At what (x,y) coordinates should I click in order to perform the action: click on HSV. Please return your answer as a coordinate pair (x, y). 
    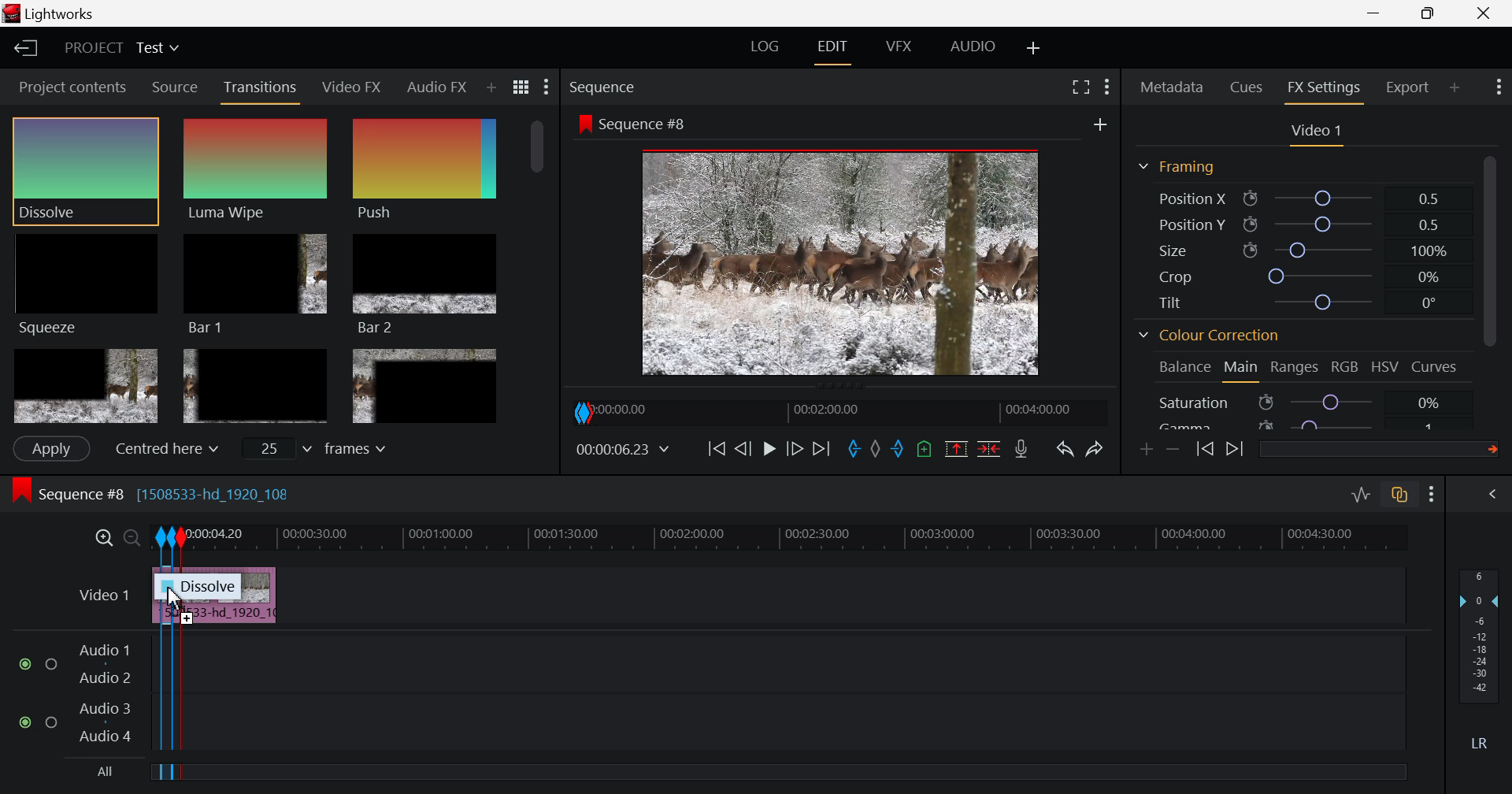
    Looking at the image, I should click on (1385, 368).